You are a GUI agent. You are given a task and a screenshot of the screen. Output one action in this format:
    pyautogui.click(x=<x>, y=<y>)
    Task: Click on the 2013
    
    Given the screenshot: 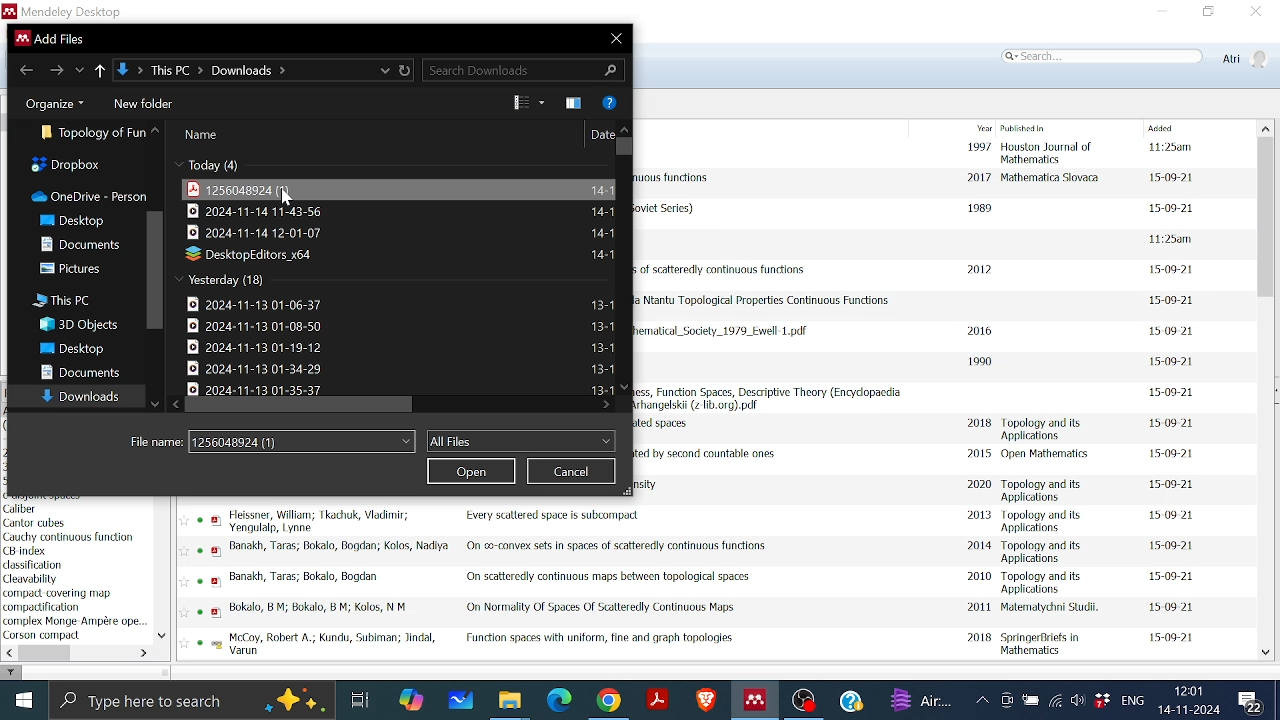 What is the action you would take?
    pyautogui.click(x=980, y=514)
    